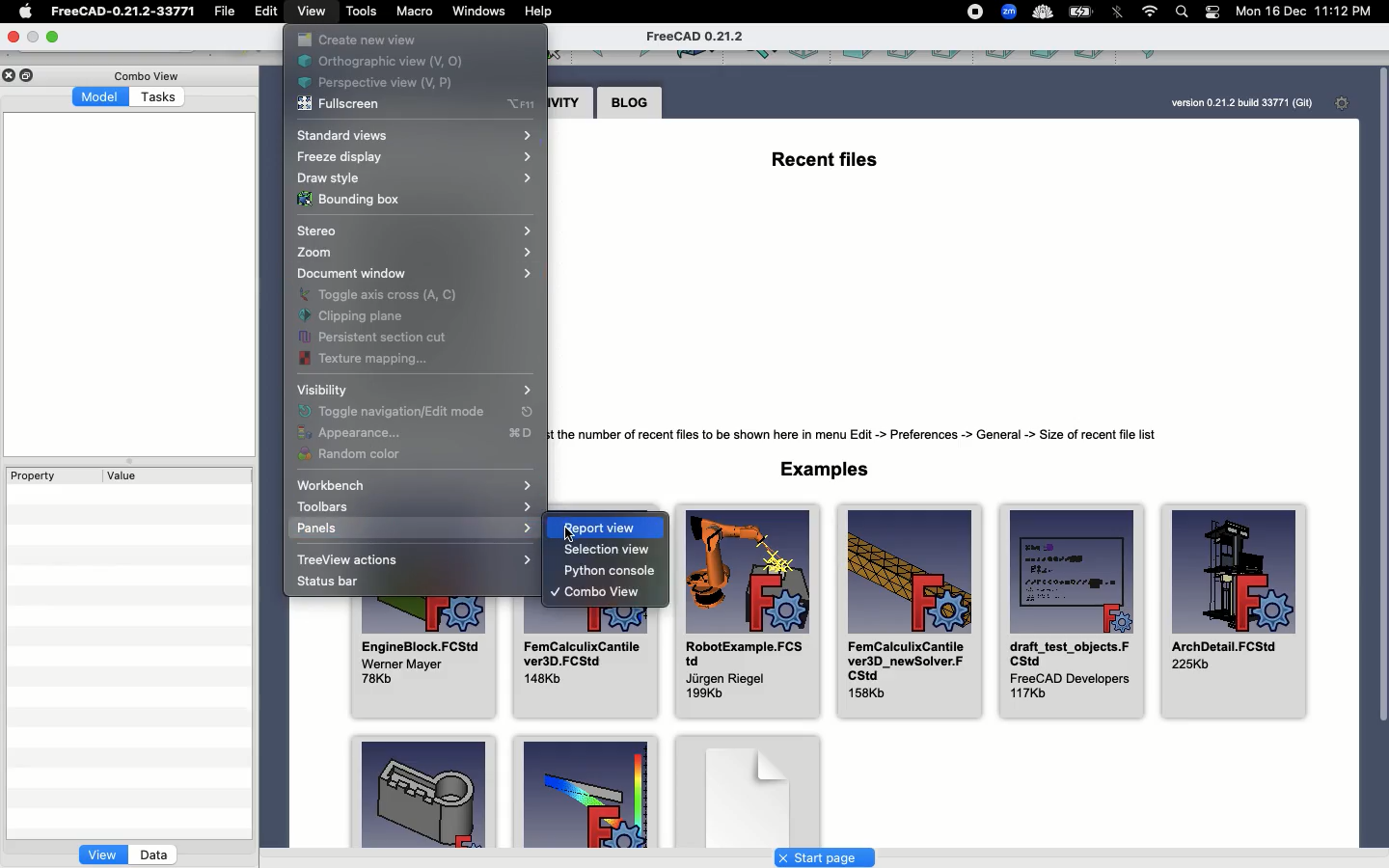  I want to click on Document window, so click(417, 272).